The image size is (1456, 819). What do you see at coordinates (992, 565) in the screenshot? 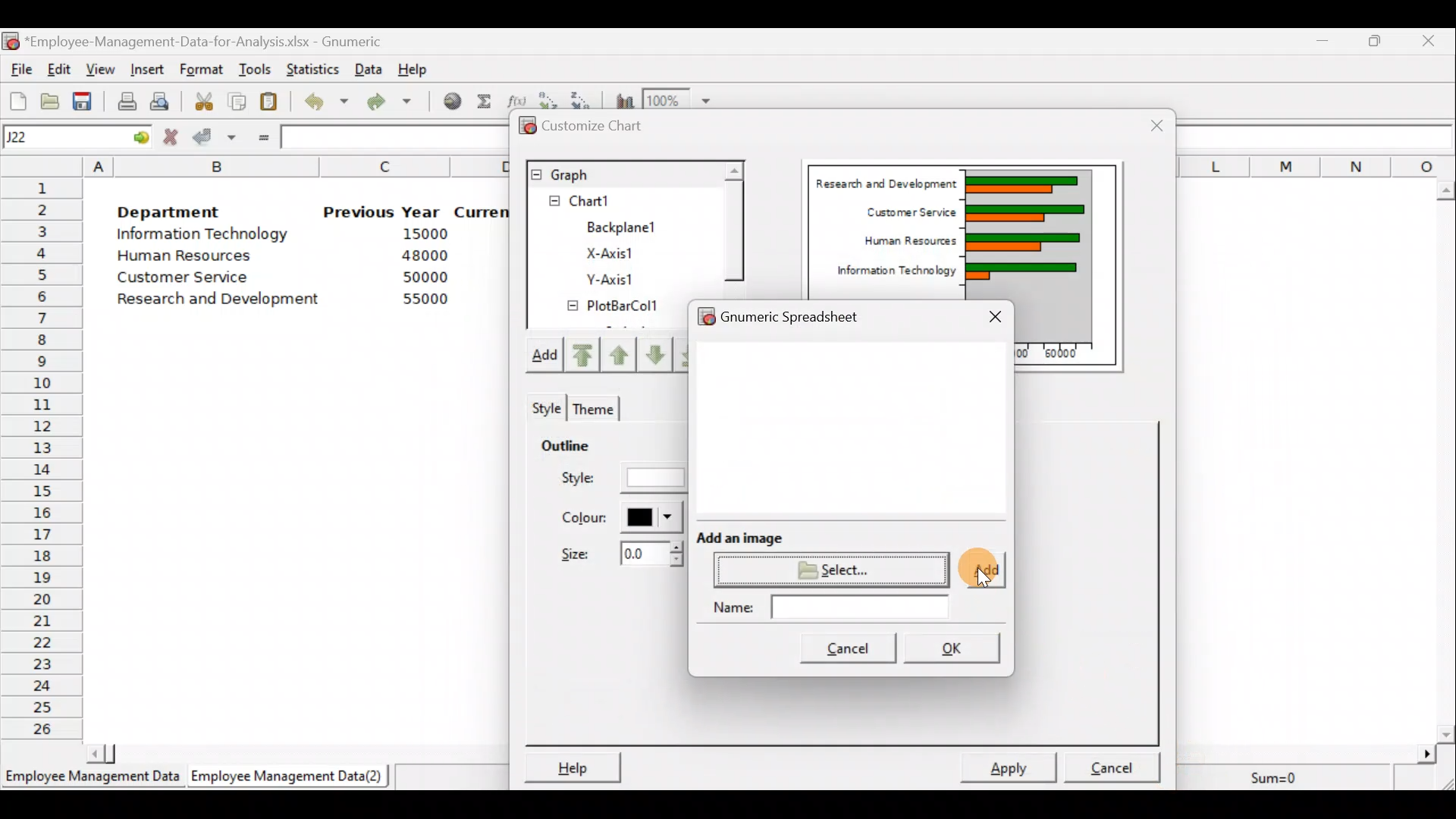
I see `Cursor on add` at bounding box center [992, 565].